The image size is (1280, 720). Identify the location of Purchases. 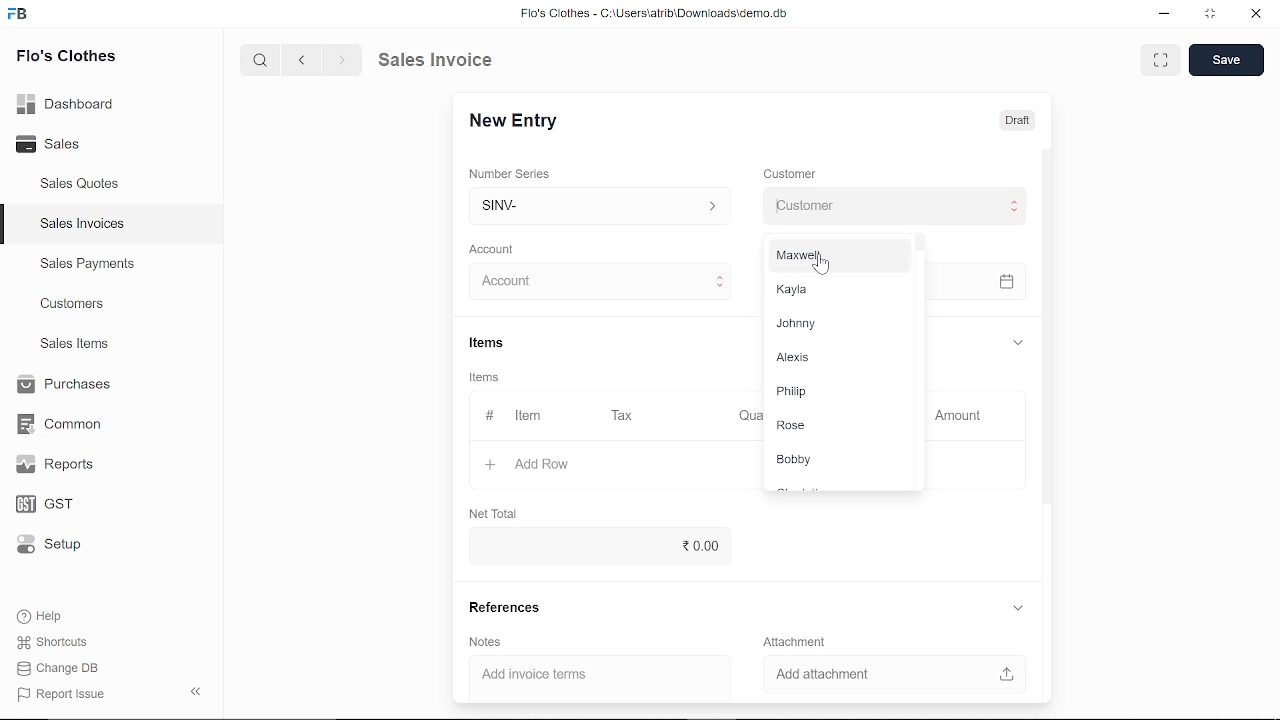
(67, 386).